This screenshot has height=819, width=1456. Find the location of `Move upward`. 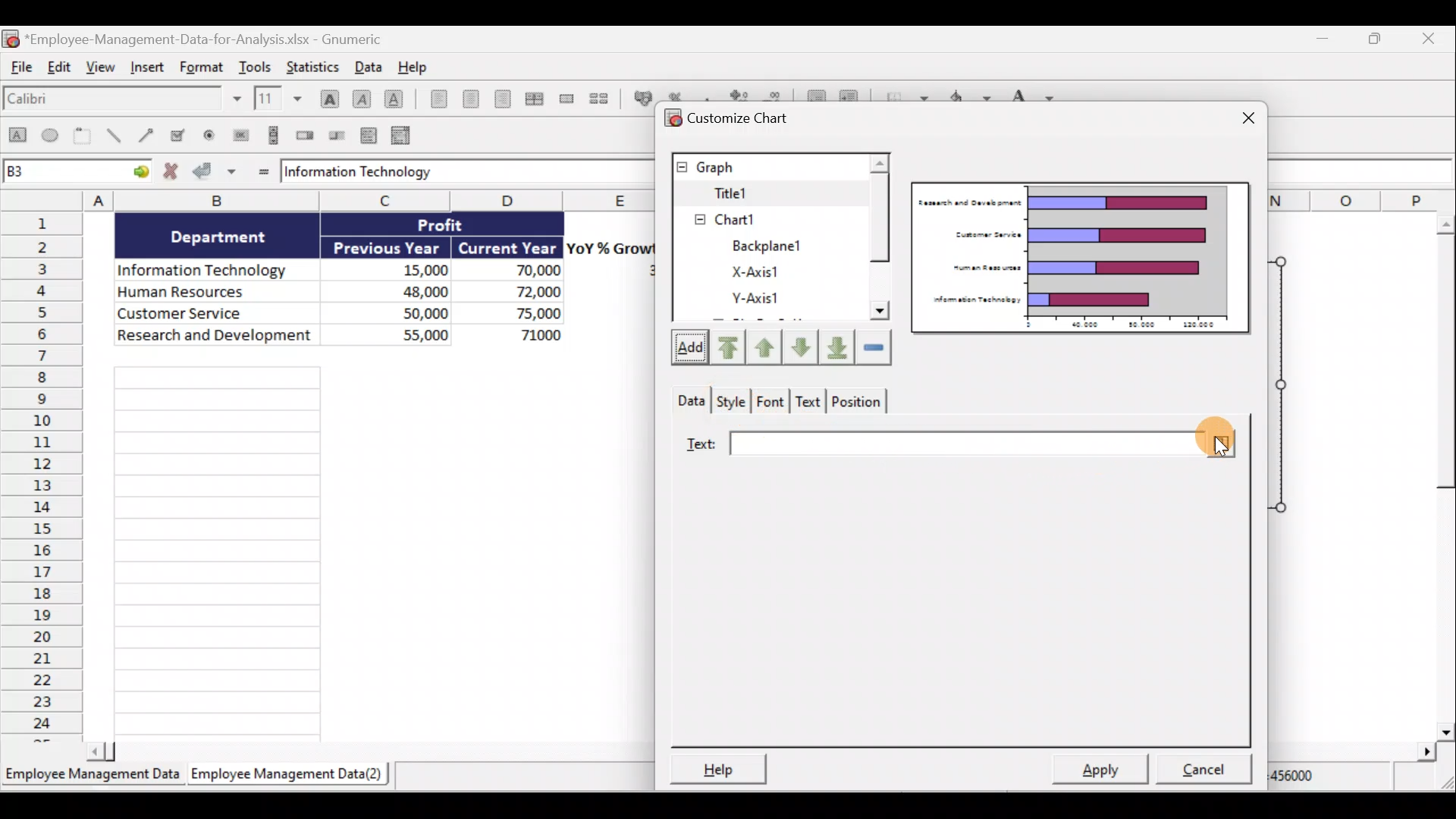

Move upward is located at coordinates (767, 346).